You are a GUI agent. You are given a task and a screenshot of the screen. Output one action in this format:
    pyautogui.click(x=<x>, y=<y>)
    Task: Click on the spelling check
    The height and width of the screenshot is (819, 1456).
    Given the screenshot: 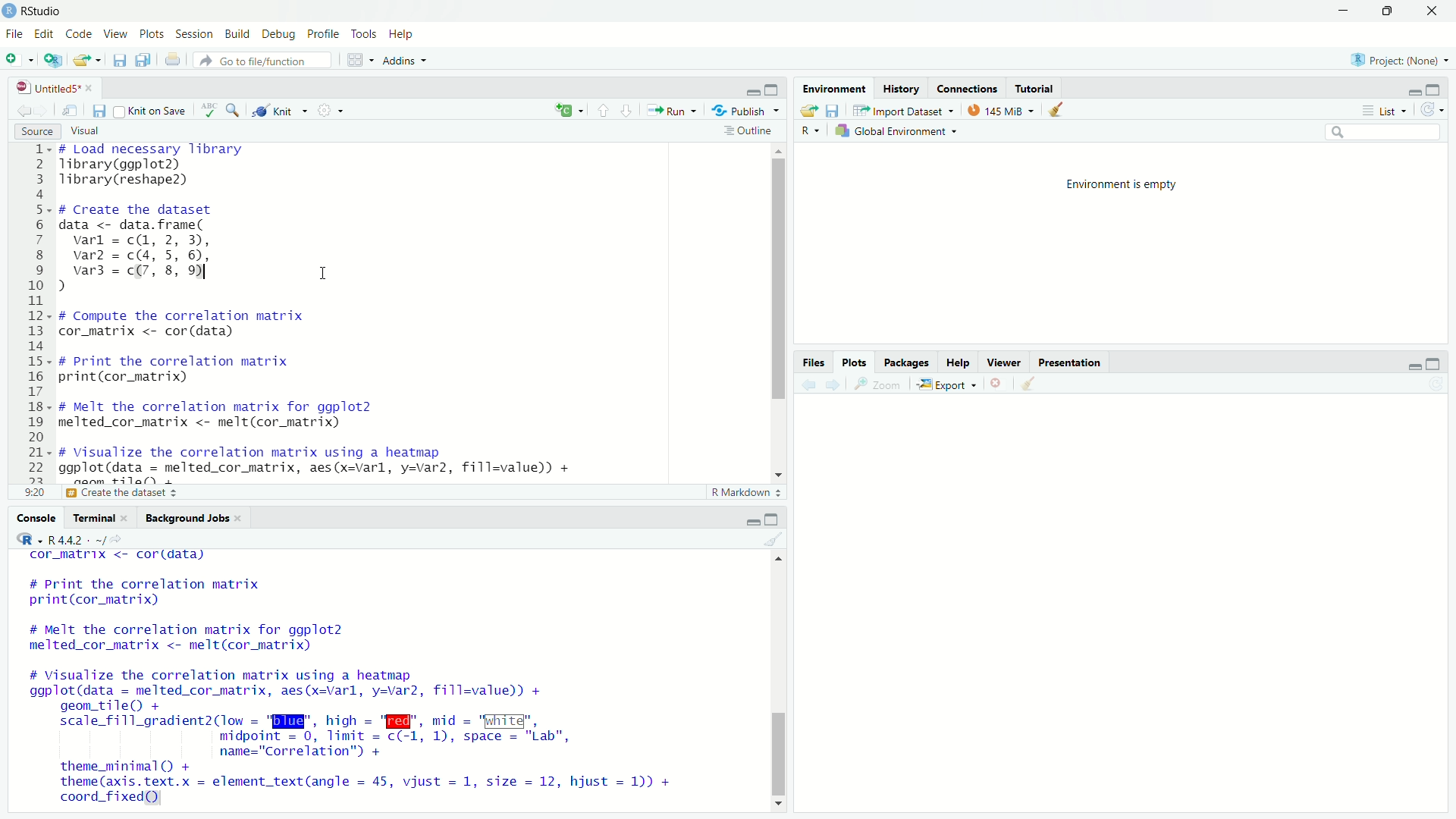 What is the action you would take?
    pyautogui.click(x=208, y=110)
    